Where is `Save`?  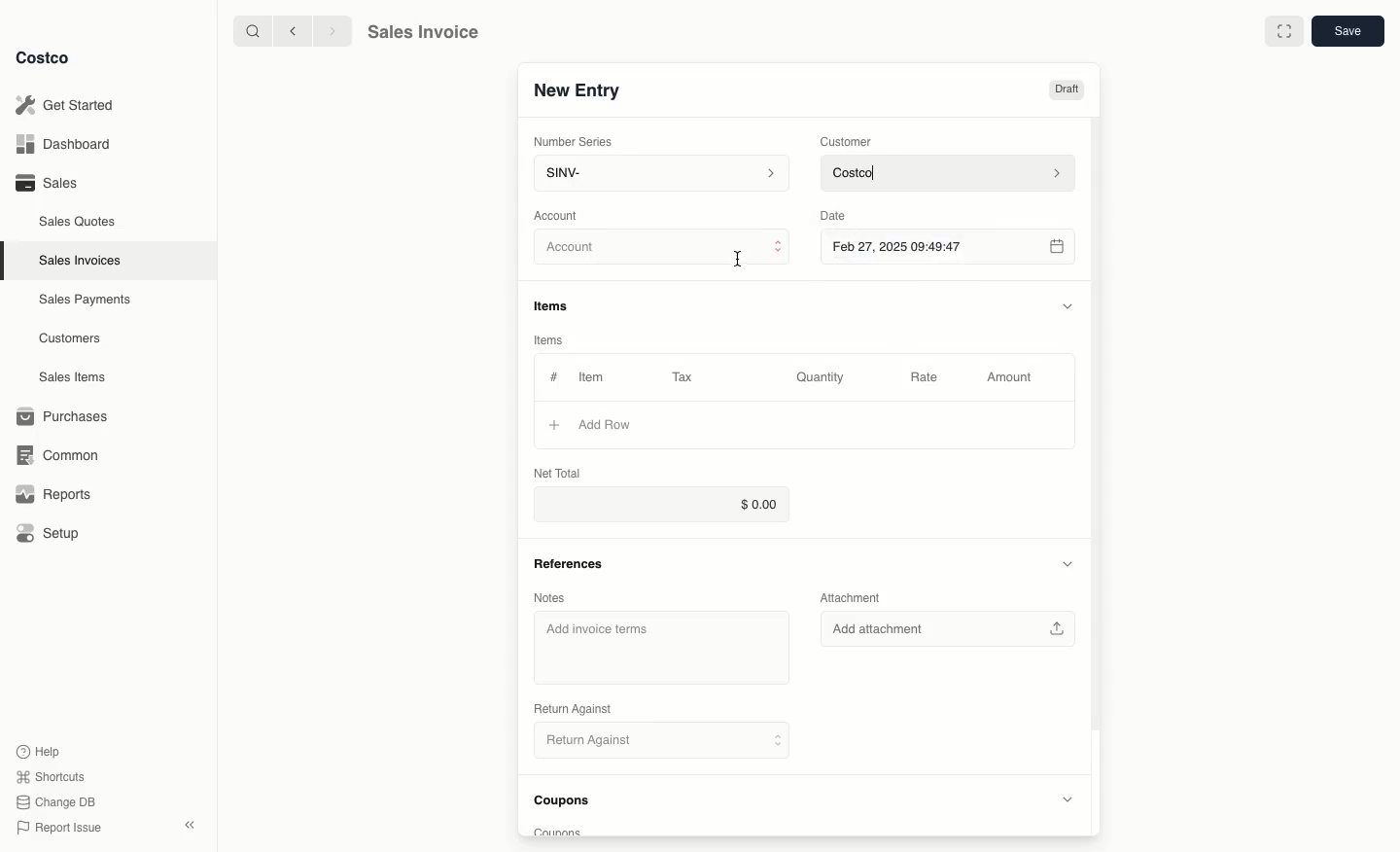 Save is located at coordinates (1347, 32).